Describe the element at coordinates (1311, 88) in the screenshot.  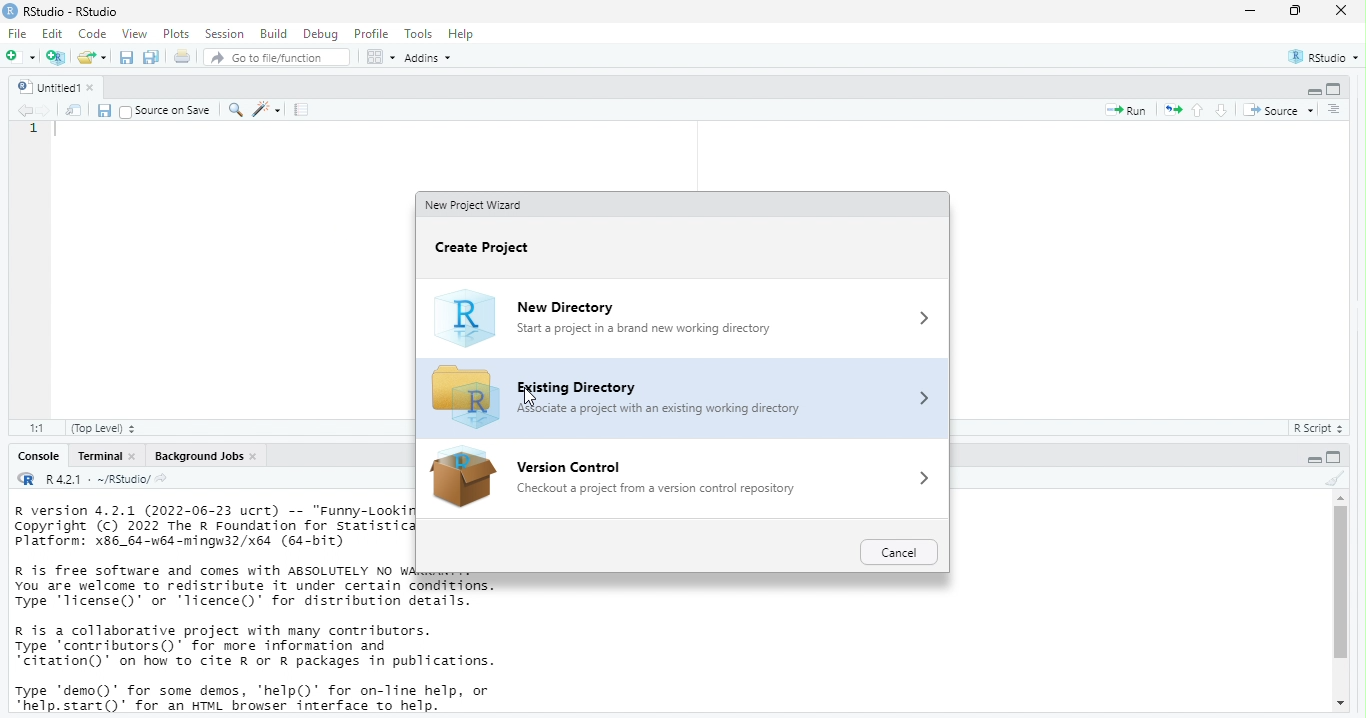
I see `minimize` at that location.